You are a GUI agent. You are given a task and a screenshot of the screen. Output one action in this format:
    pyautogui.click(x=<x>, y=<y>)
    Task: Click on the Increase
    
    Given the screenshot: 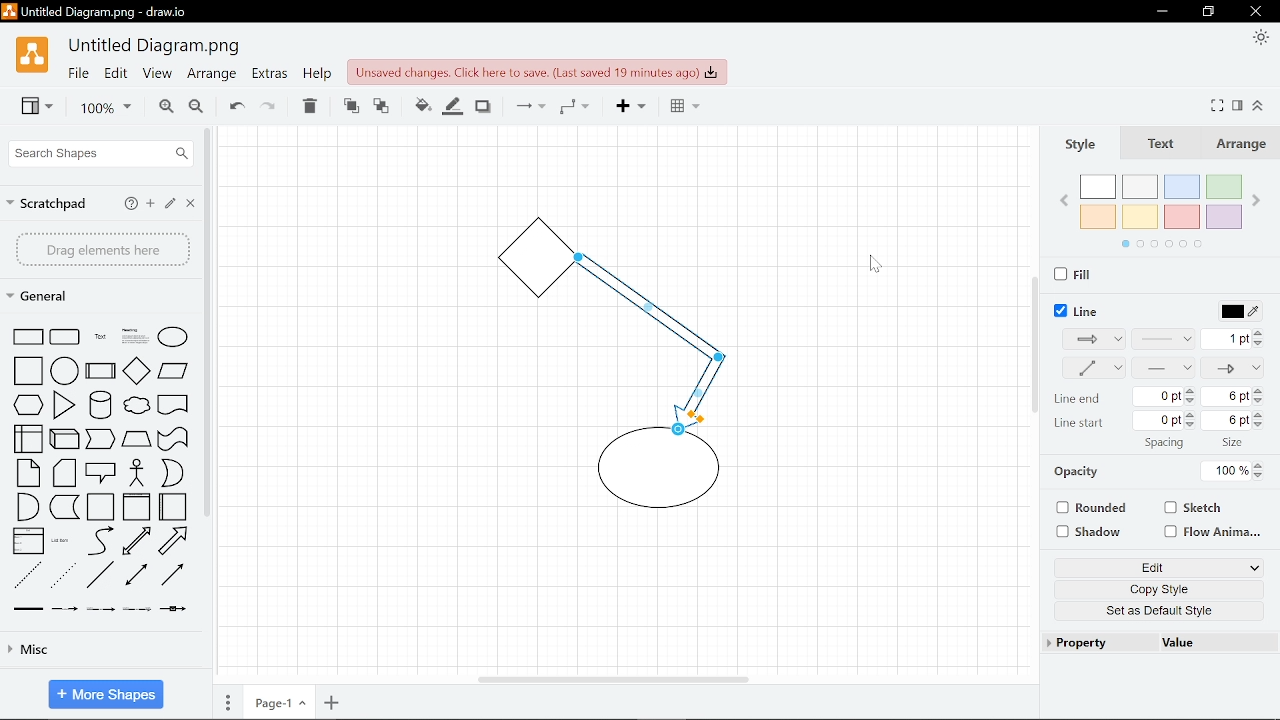 What is the action you would take?
    pyautogui.click(x=1260, y=424)
    